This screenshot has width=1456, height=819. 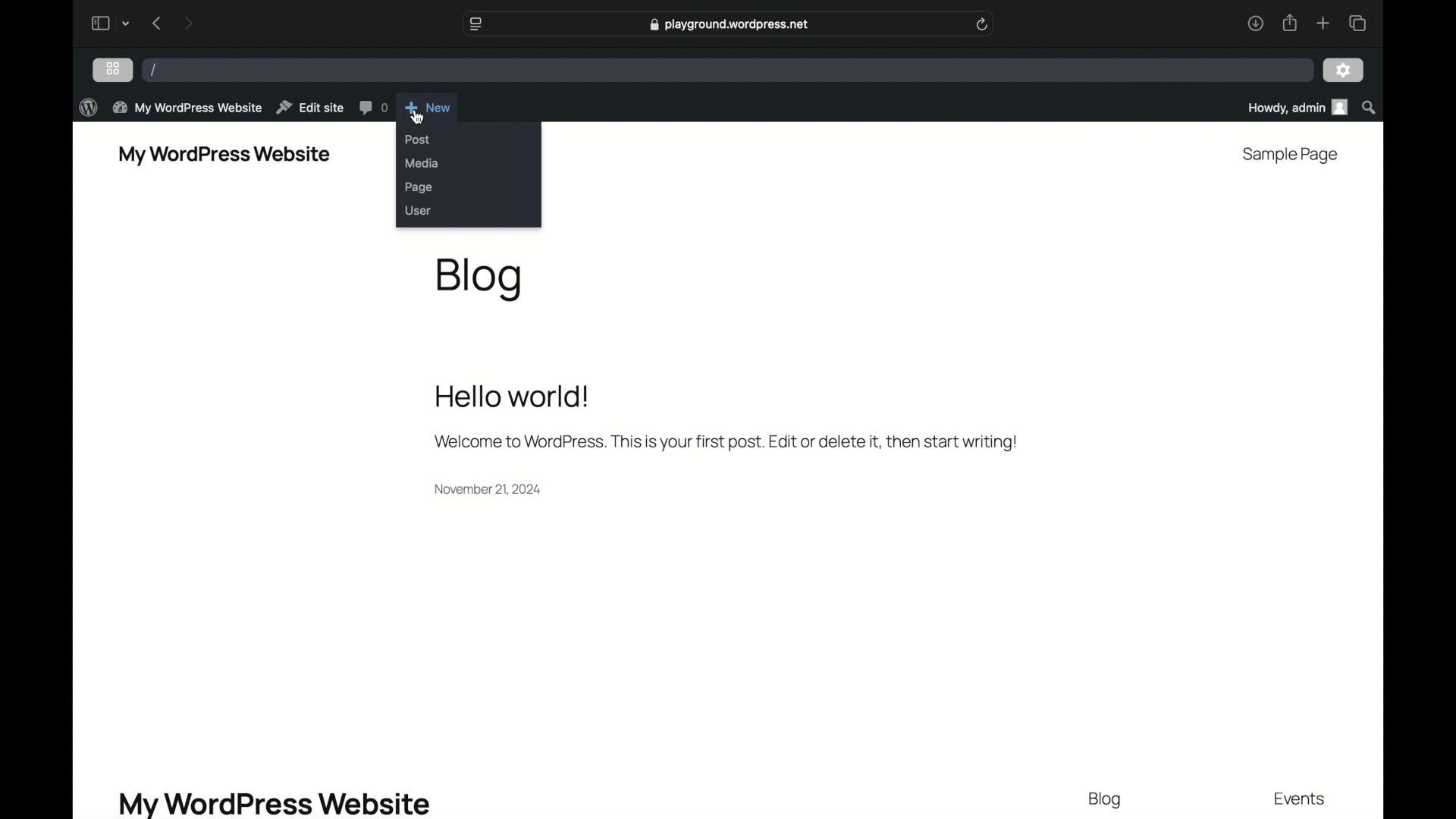 What do you see at coordinates (155, 71) in the screenshot?
I see `/` at bounding box center [155, 71].